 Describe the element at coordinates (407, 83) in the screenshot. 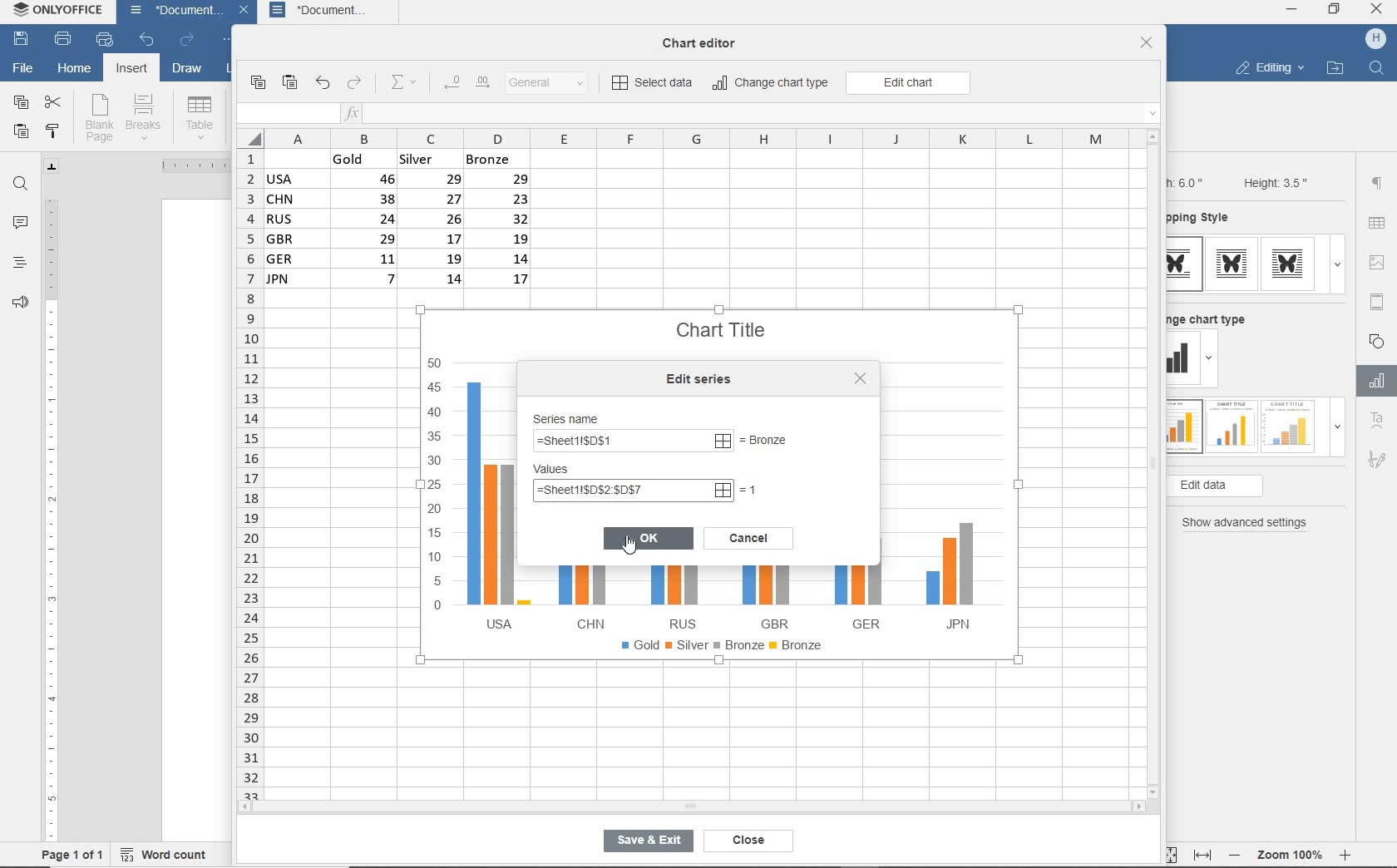

I see `summation` at that location.